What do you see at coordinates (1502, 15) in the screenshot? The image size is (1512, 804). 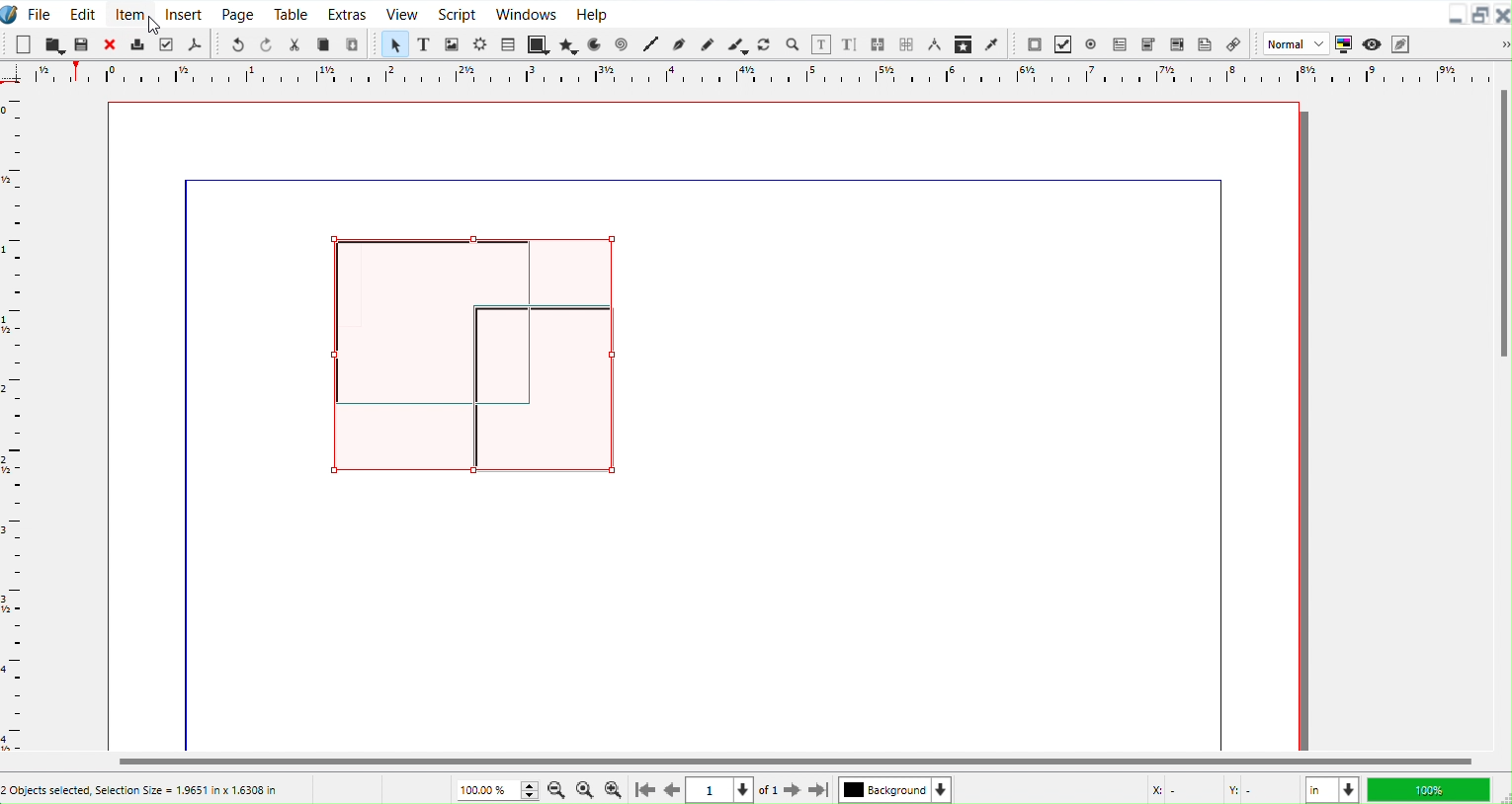 I see `Close` at bounding box center [1502, 15].